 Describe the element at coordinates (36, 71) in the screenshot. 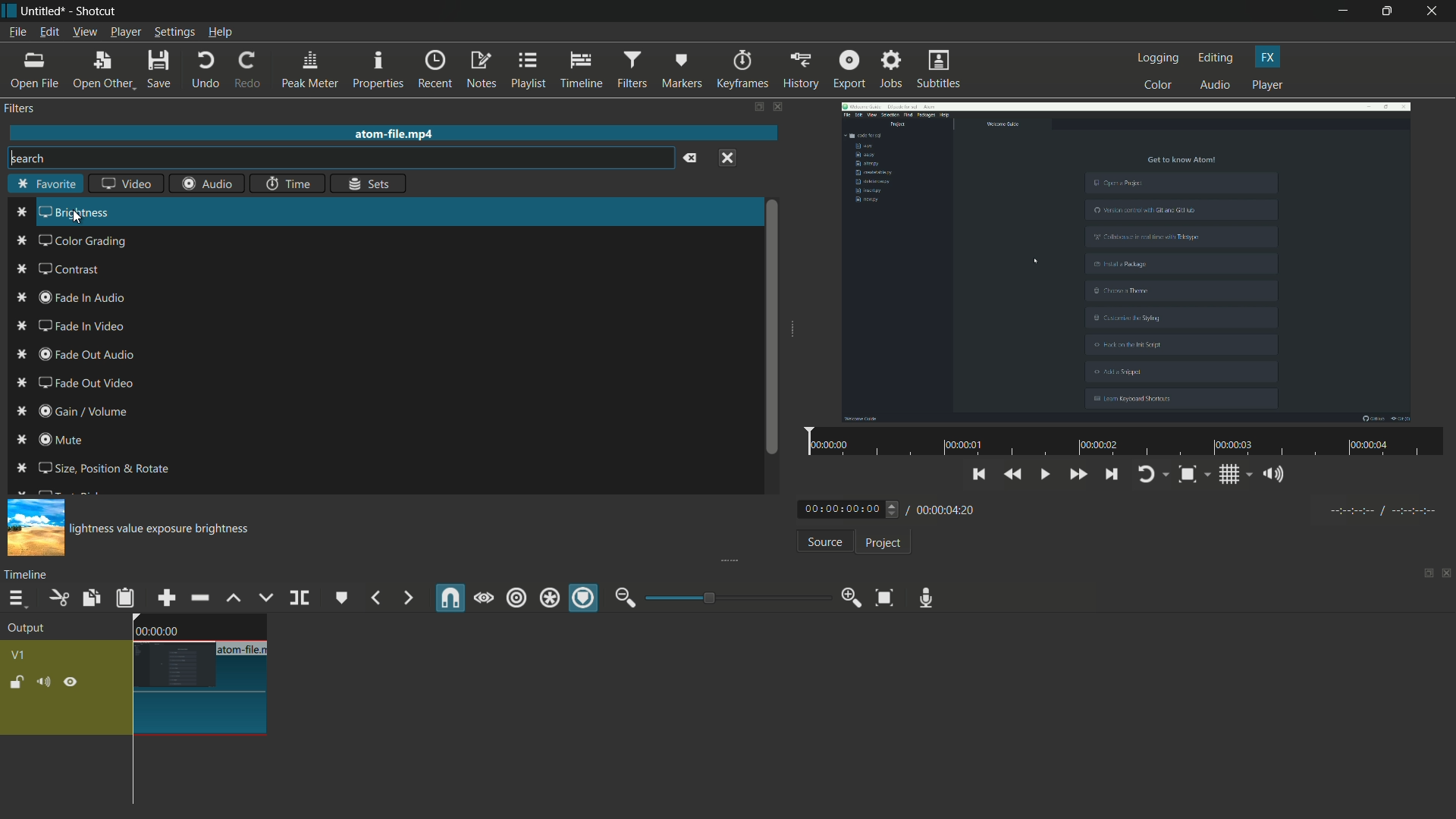

I see `open file` at that location.